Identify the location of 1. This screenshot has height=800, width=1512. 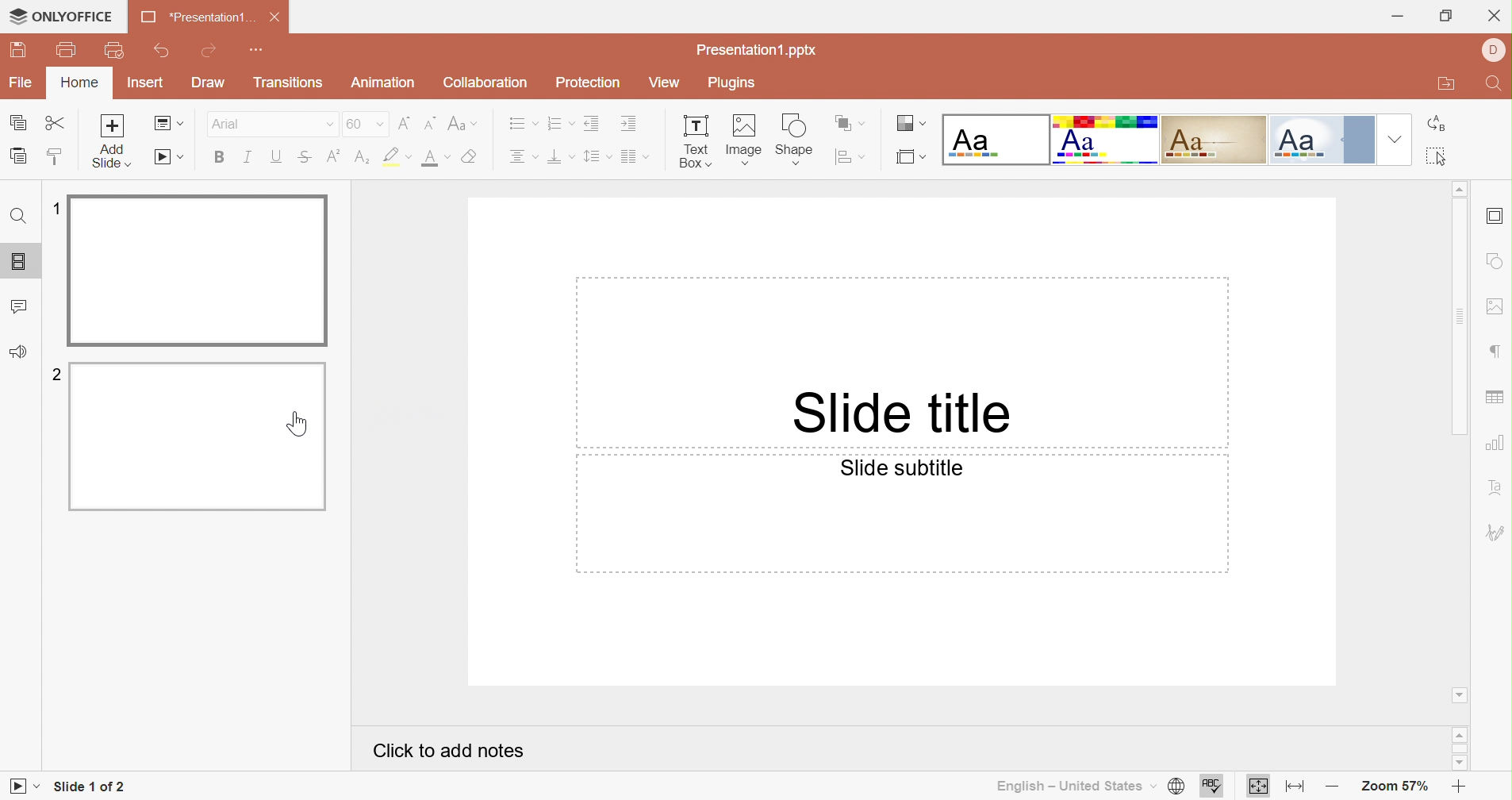
(52, 205).